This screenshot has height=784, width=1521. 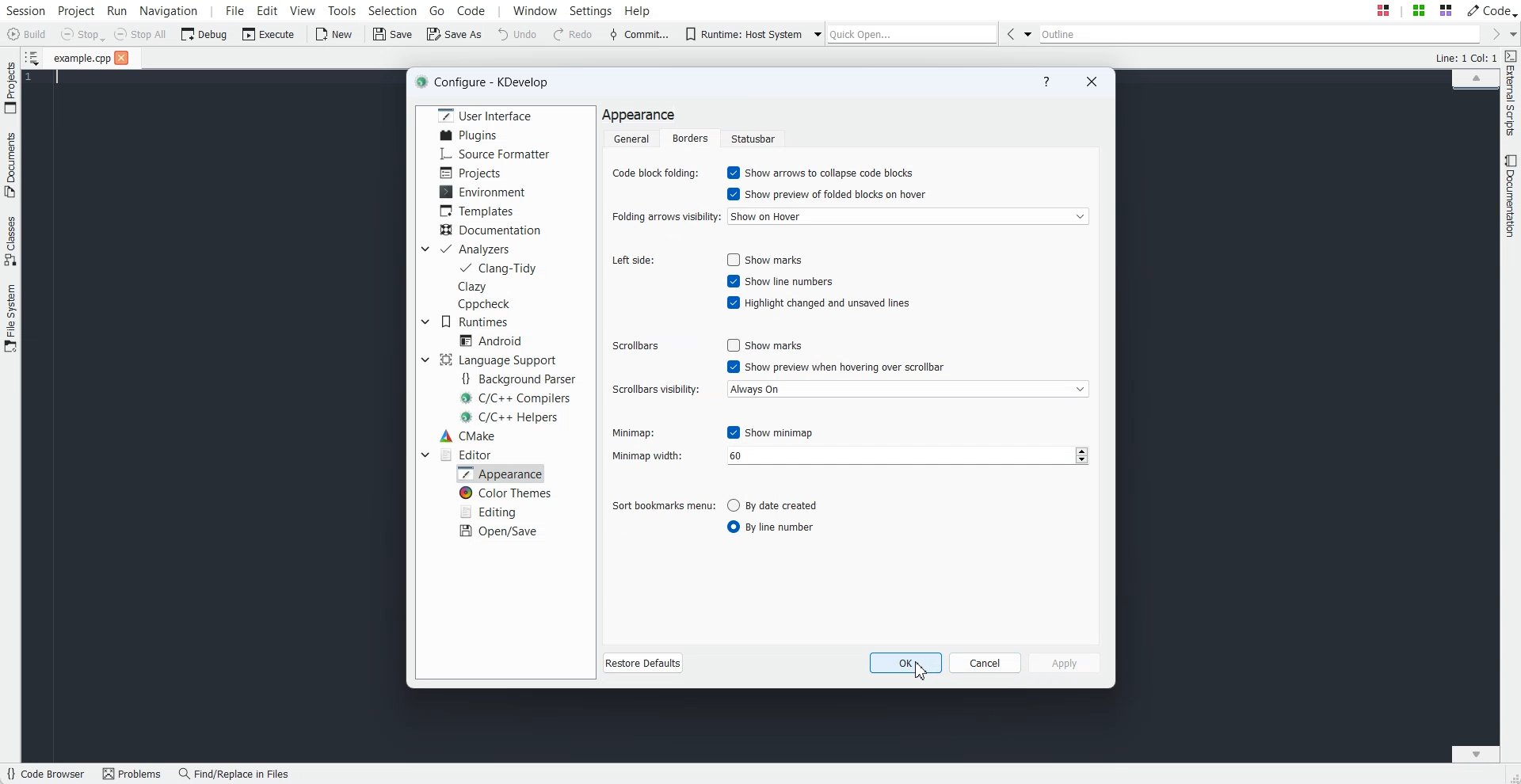 I want to click on Quick Open, so click(x=913, y=33).